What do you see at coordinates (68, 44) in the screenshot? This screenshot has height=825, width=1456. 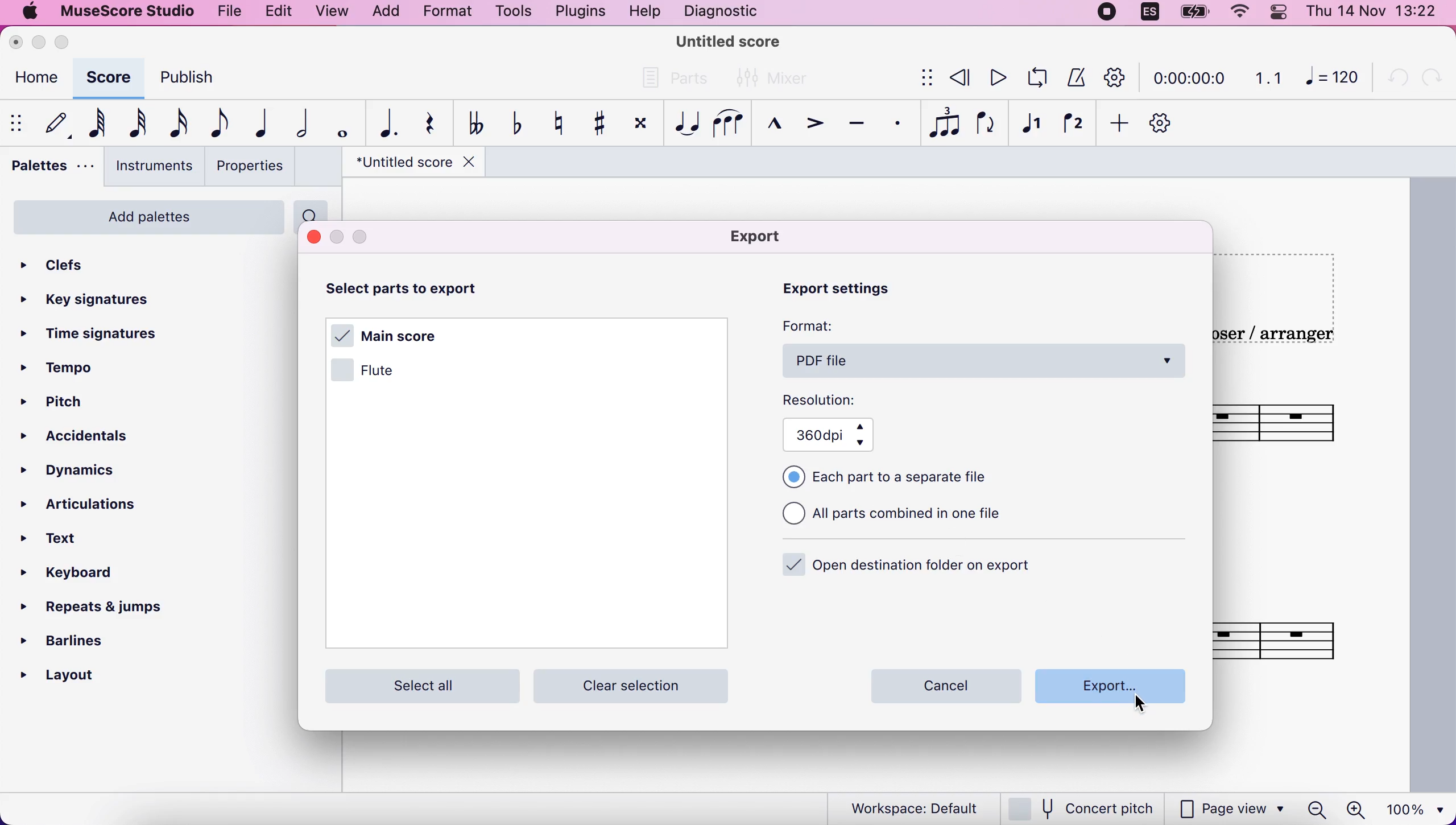 I see `maximize` at bounding box center [68, 44].